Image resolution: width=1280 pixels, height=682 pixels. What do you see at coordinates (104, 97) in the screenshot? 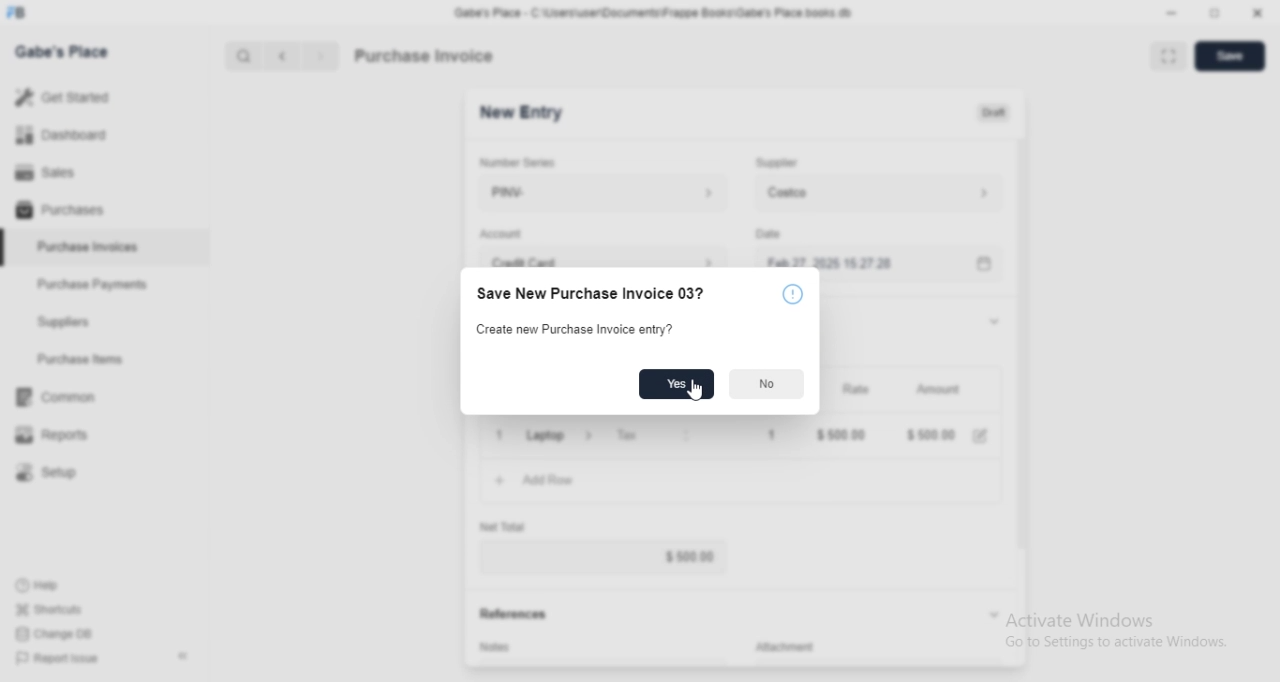
I see `Get Started` at bounding box center [104, 97].